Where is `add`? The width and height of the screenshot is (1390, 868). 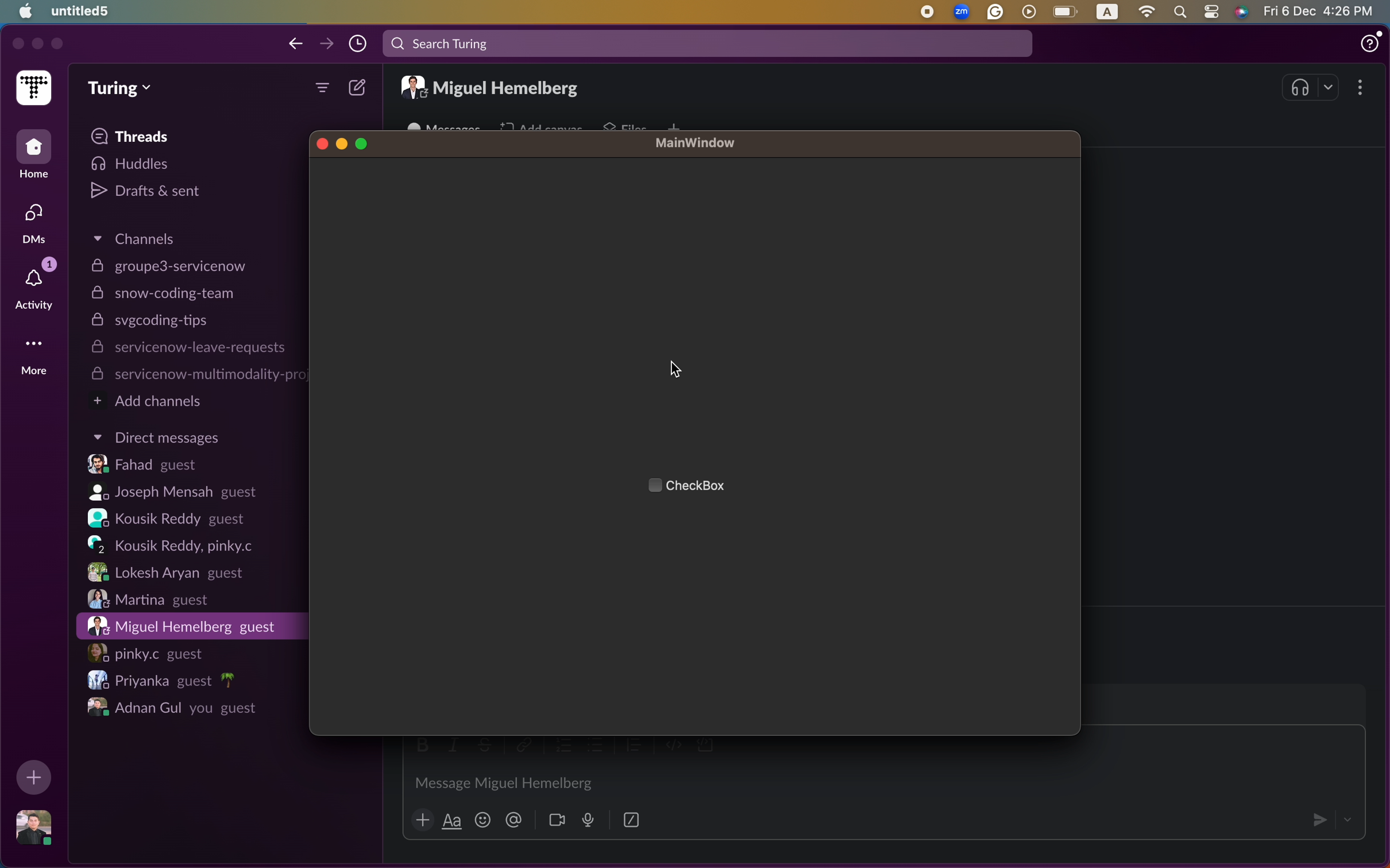 add is located at coordinates (35, 777).